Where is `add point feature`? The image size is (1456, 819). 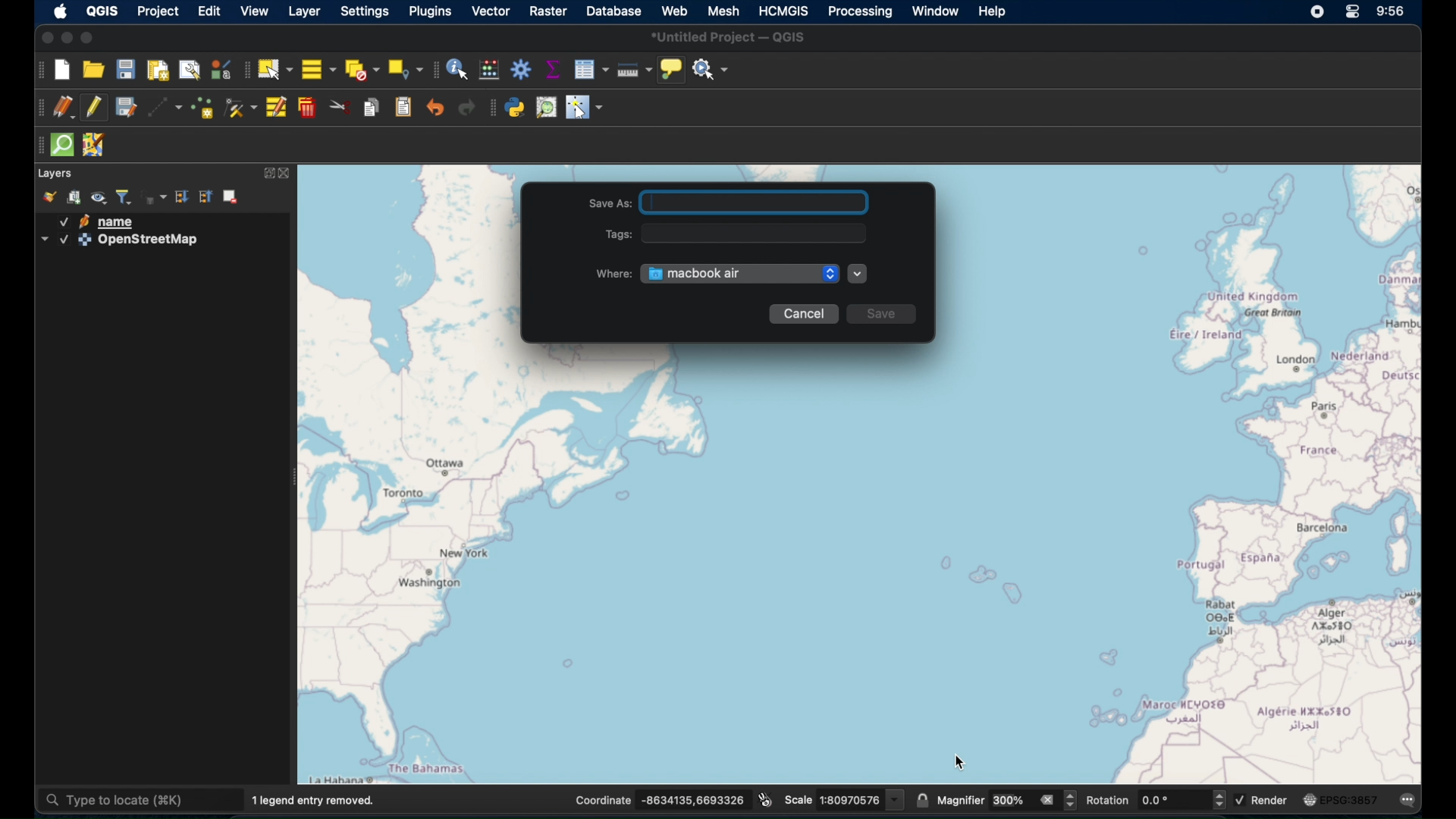
add point feature is located at coordinates (202, 108).